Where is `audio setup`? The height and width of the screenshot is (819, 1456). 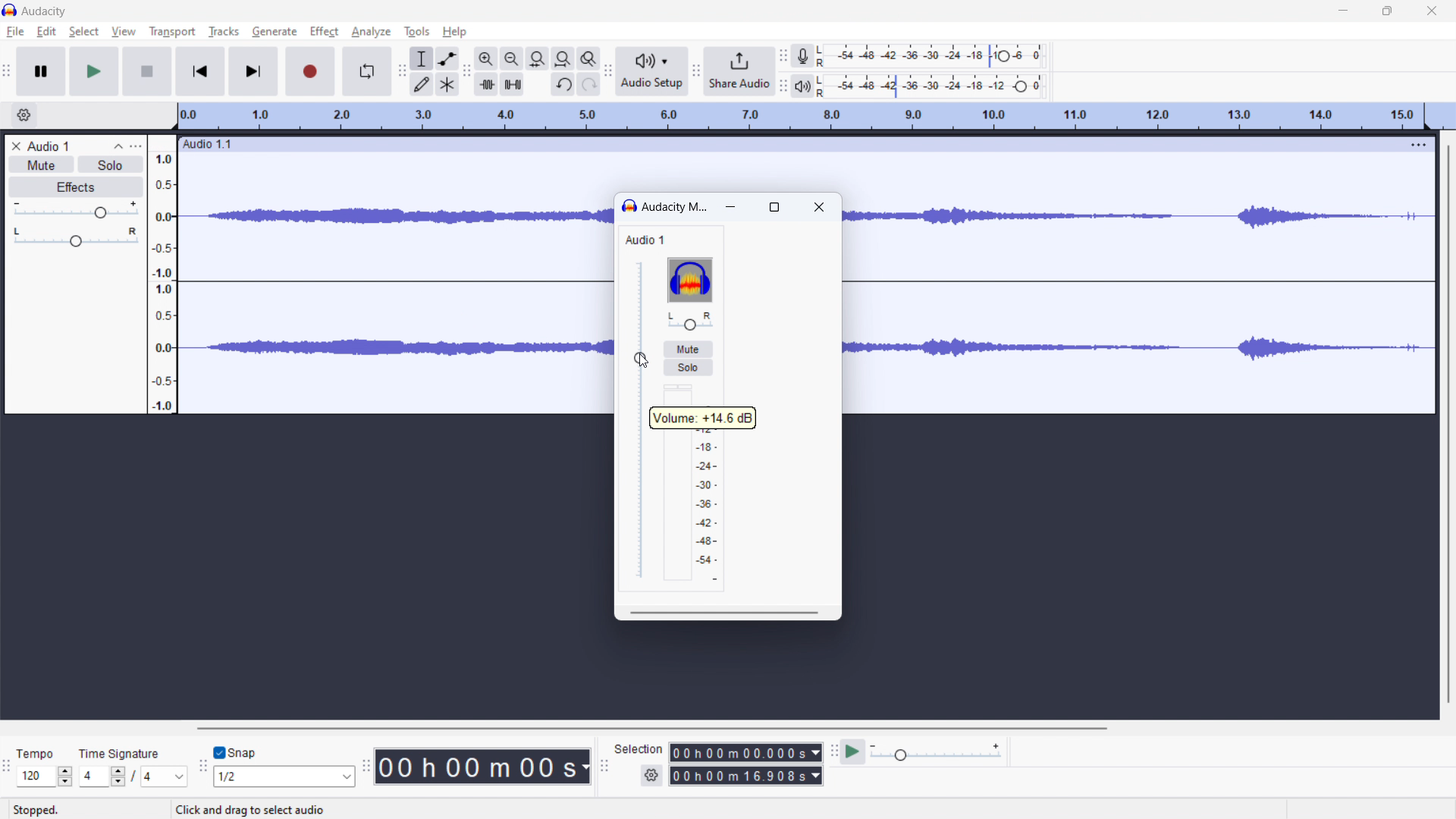
audio setup is located at coordinates (652, 72).